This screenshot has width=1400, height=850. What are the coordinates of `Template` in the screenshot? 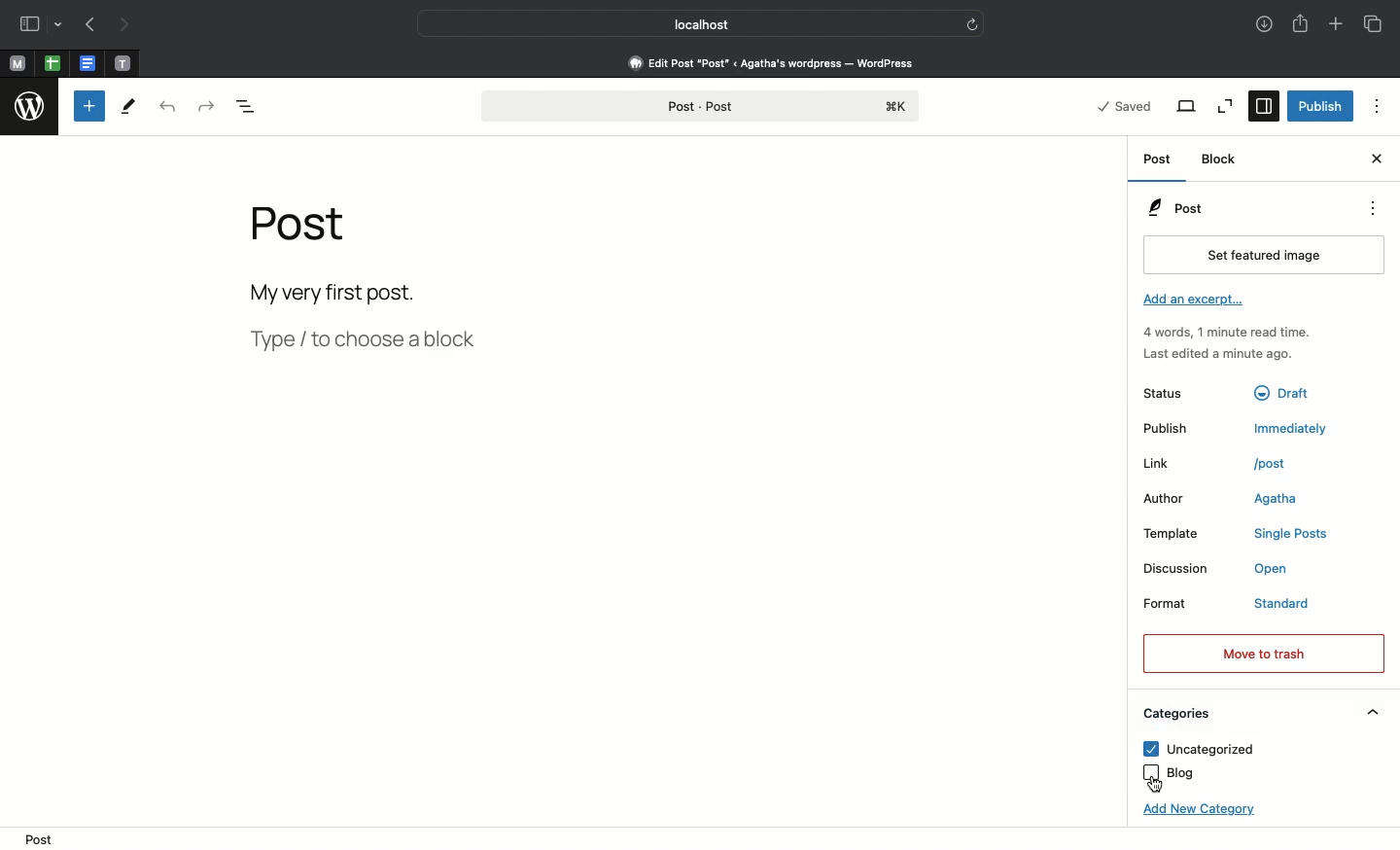 It's located at (1182, 534).